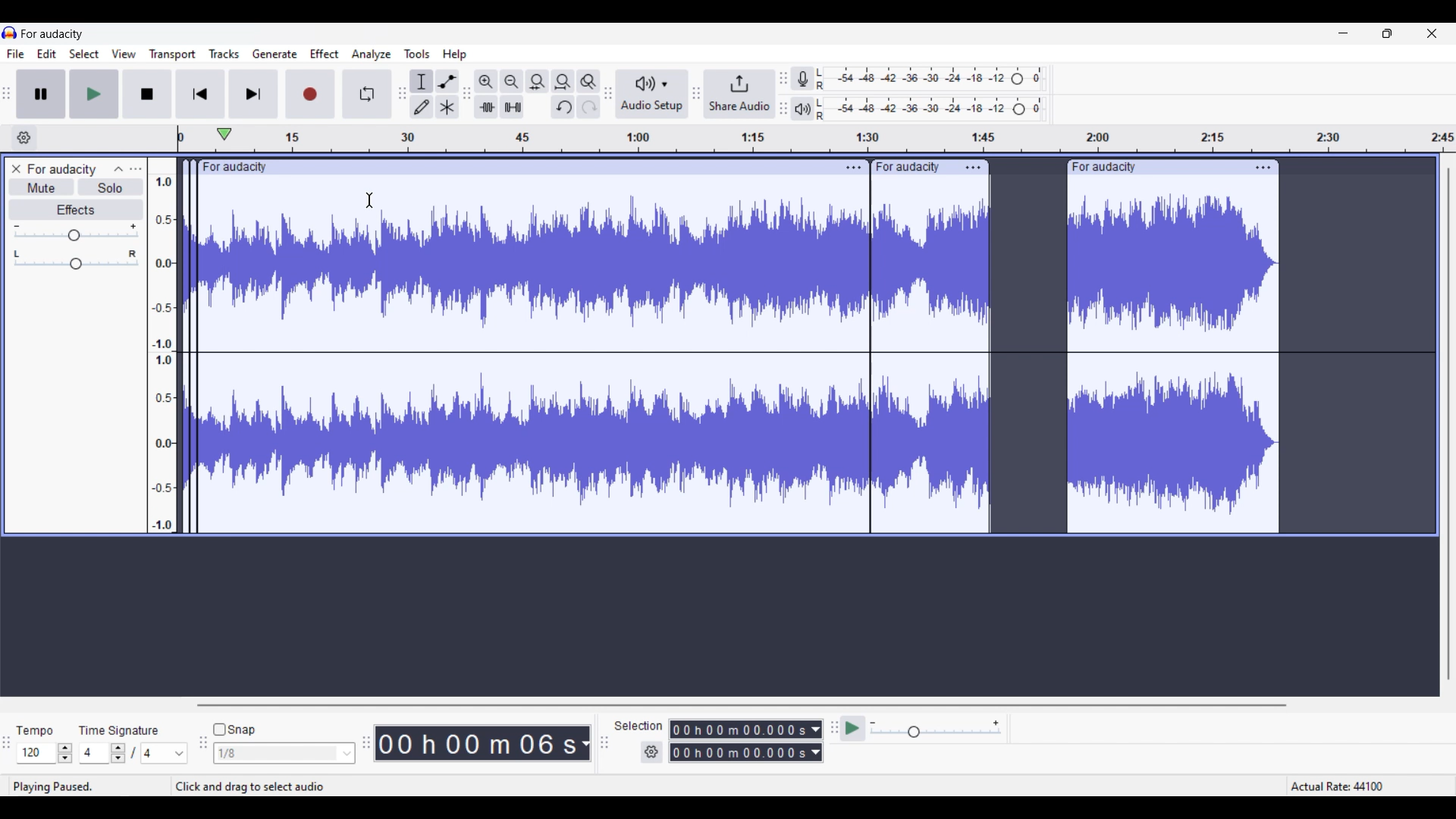  What do you see at coordinates (448, 80) in the screenshot?
I see `envelop tool` at bounding box center [448, 80].